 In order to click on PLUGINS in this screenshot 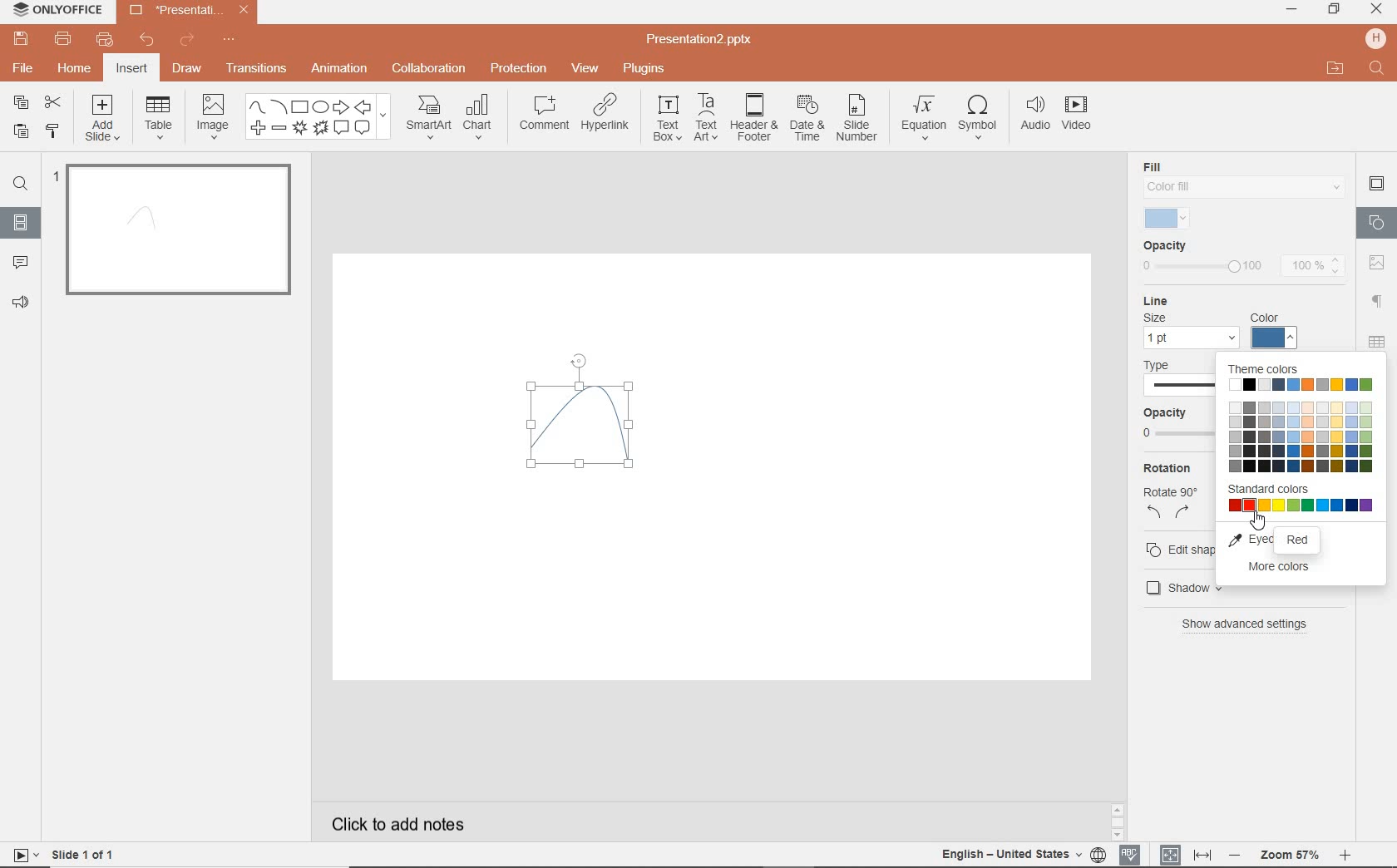, I will do `click(644, 69)`.